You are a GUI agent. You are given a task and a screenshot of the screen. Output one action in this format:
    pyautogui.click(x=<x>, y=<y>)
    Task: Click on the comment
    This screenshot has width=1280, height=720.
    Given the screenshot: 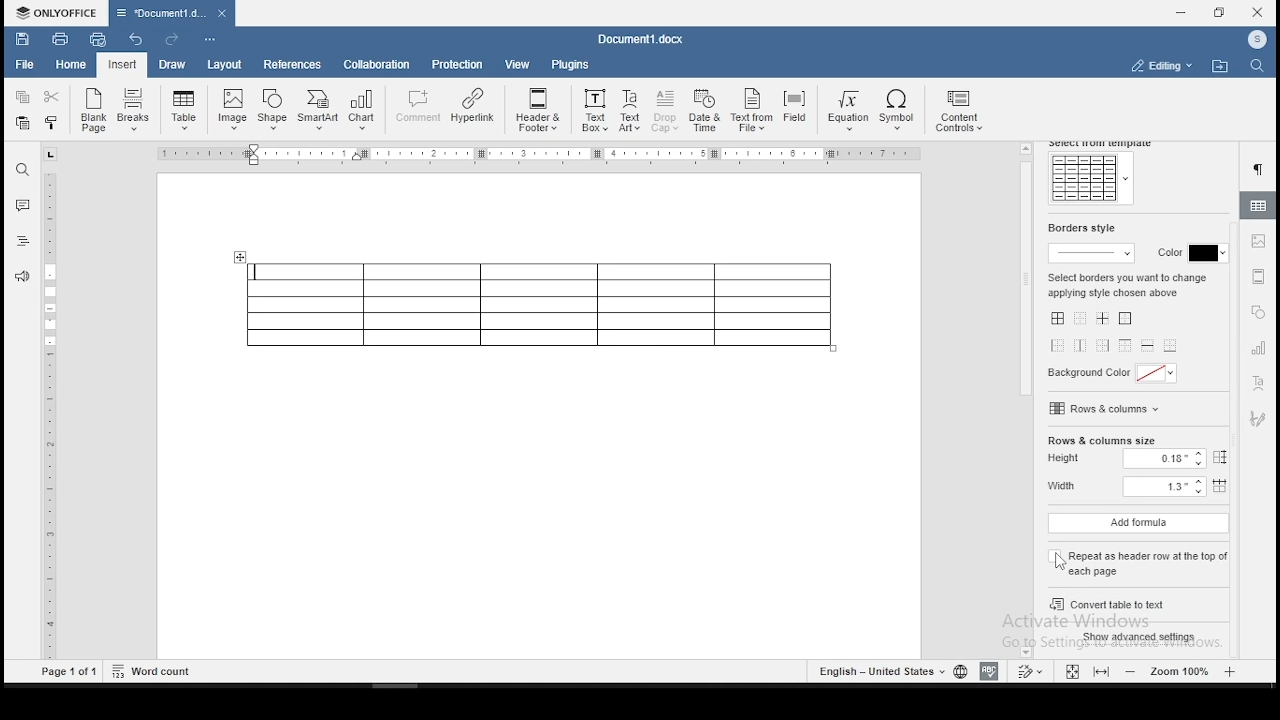 What is the action you would take?
    pyautogui.click(x=22, y=203)
    